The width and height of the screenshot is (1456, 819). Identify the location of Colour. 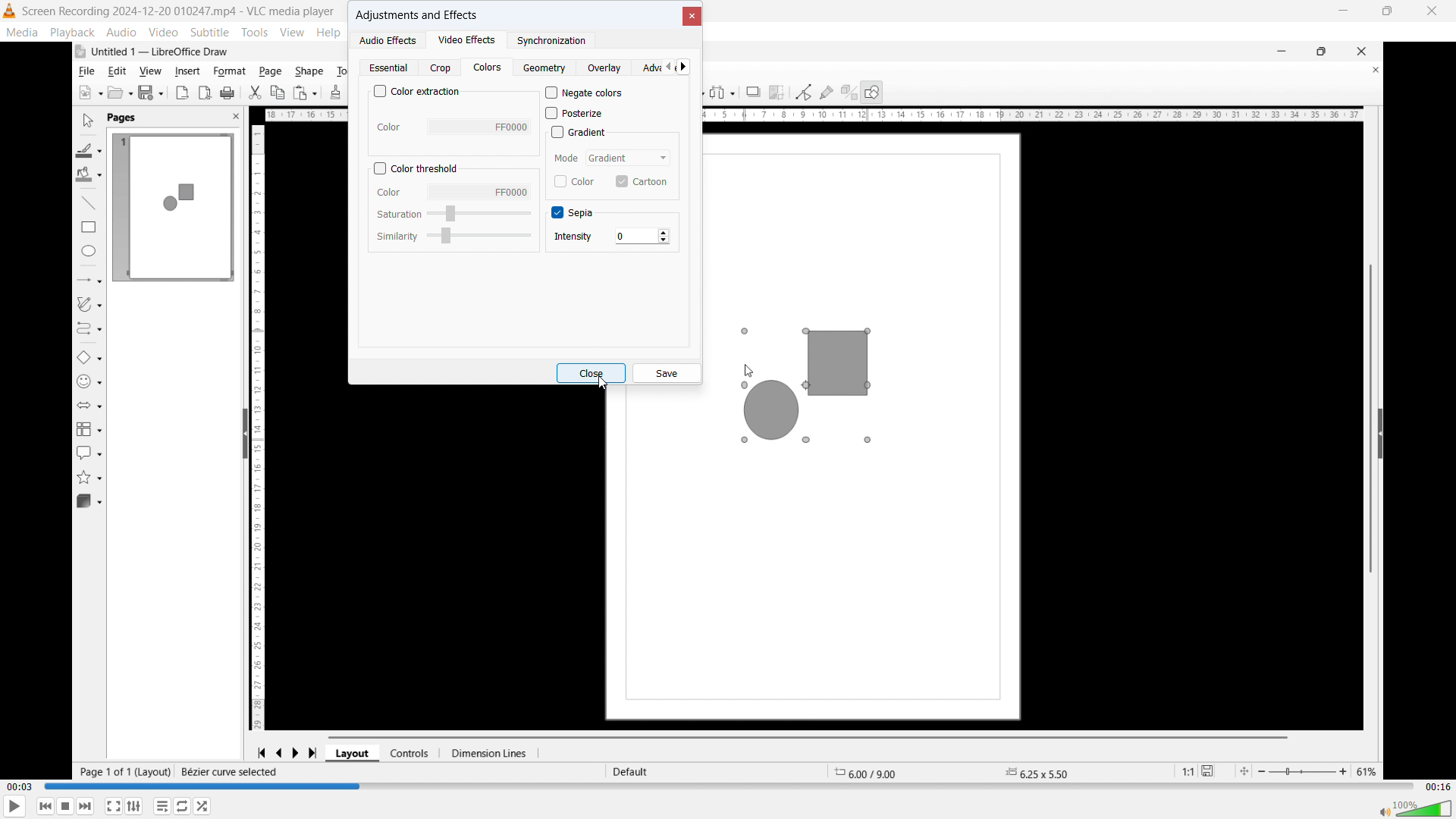
(391, 128).